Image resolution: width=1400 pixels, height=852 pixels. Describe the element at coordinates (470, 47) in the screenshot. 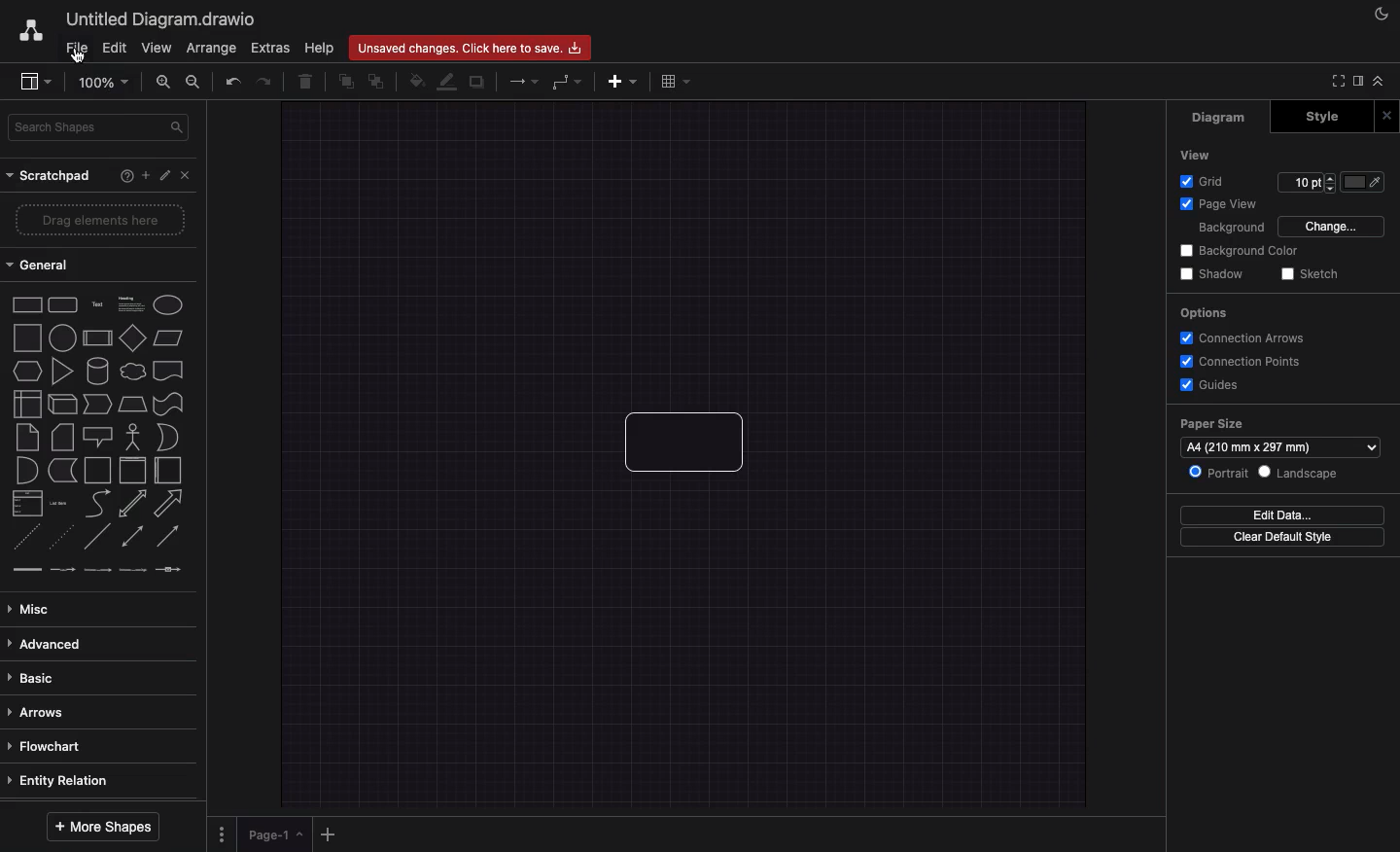

I see `Unsaved changes. Click here to save.` at that location.